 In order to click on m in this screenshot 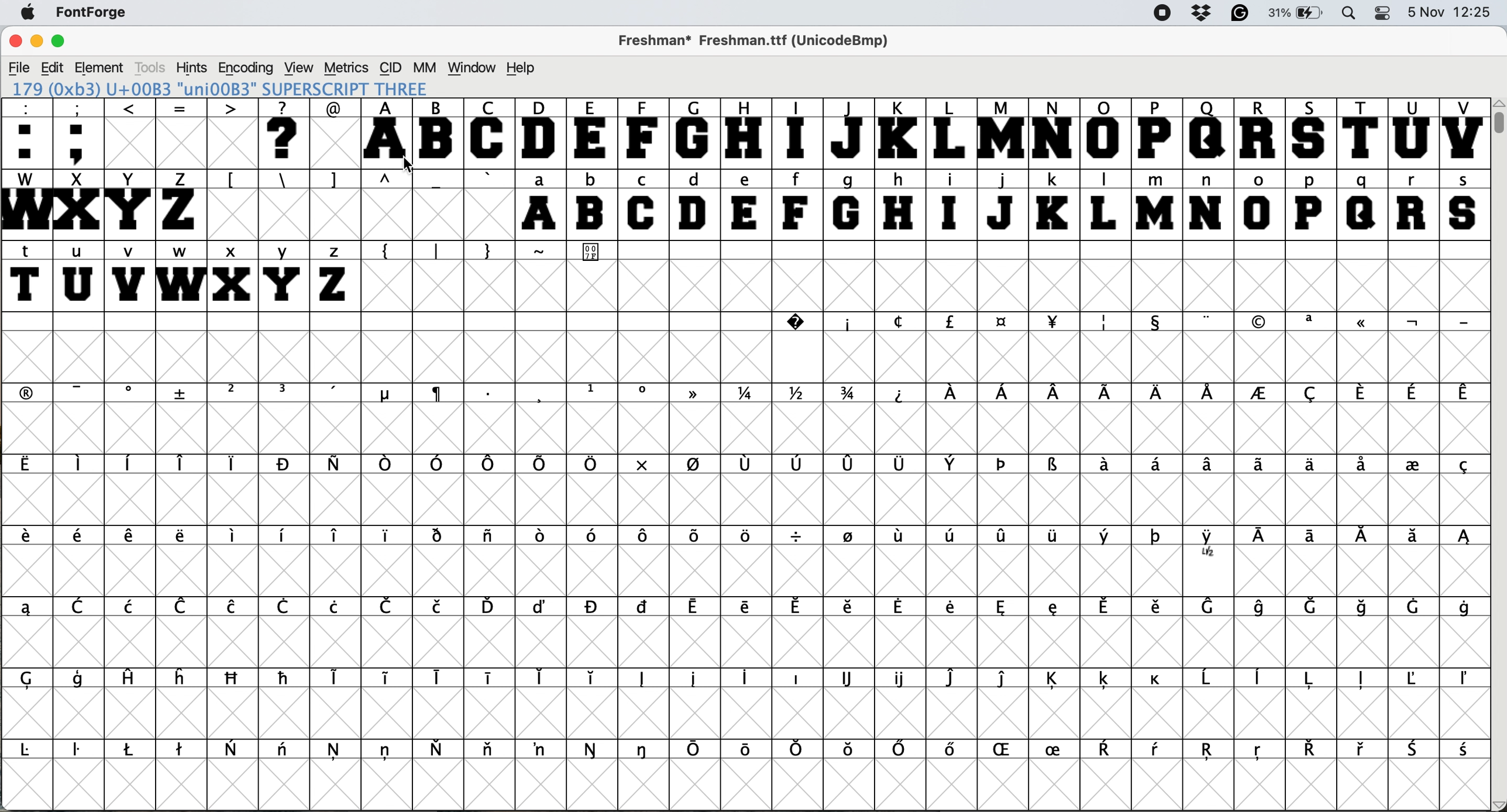, I will do `click(1157, 204)`.